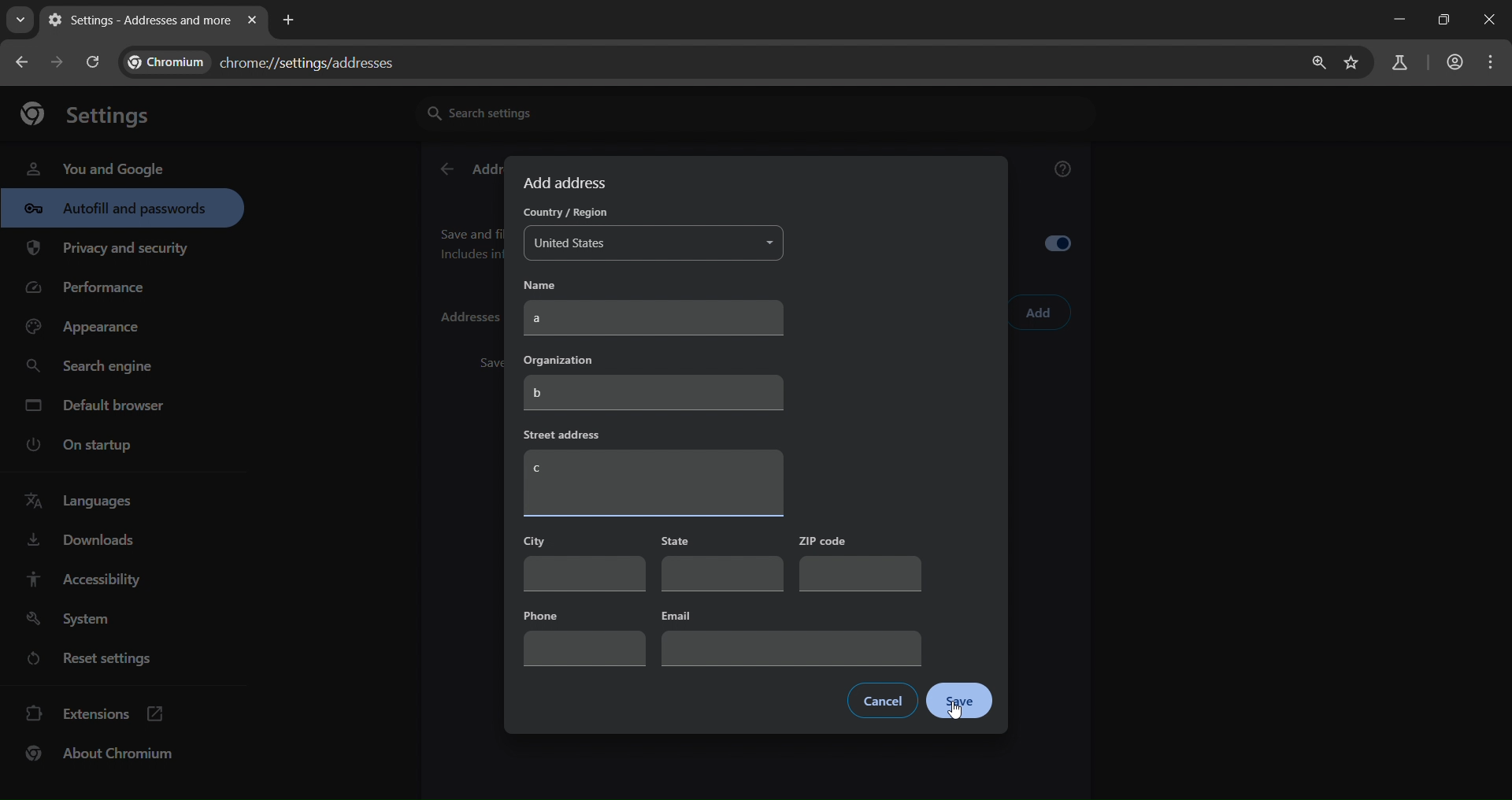 The height and width of the screenshot is (800, 1512). Describe the element at coordinates (98, 408) in the screenshot. I see `default engine` at that location.